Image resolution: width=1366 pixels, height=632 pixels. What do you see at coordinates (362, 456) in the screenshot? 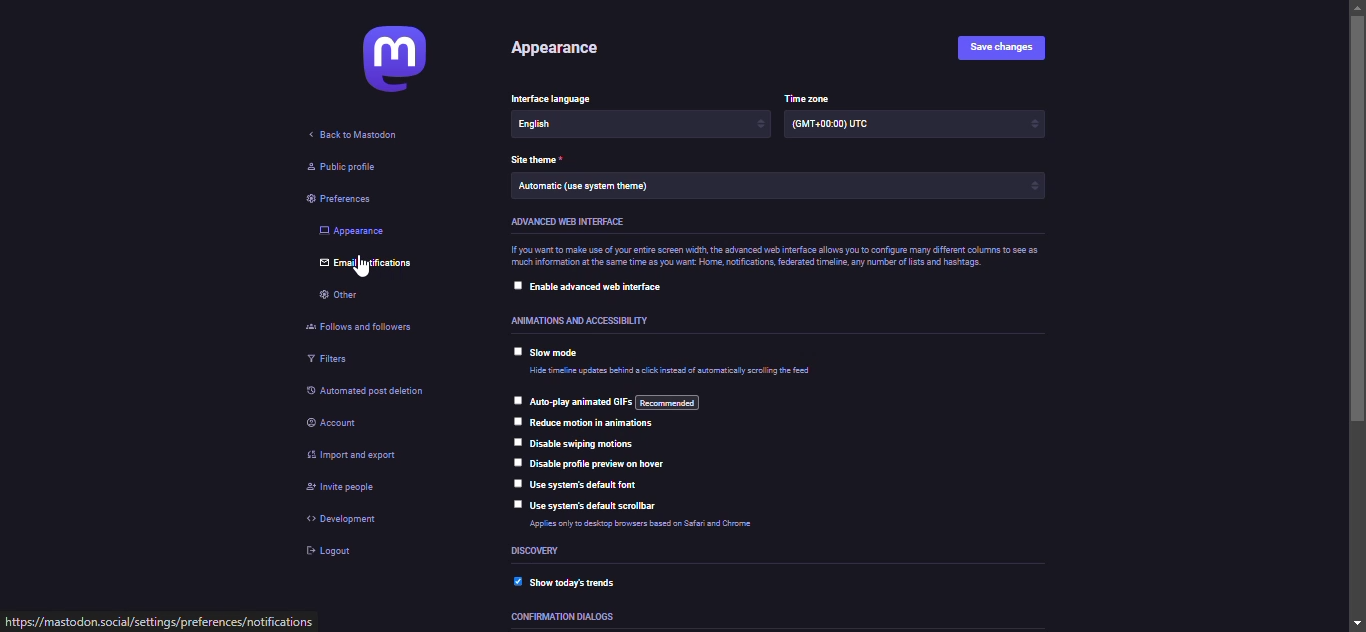
I see `import & export` at bounding box center [362, 456].